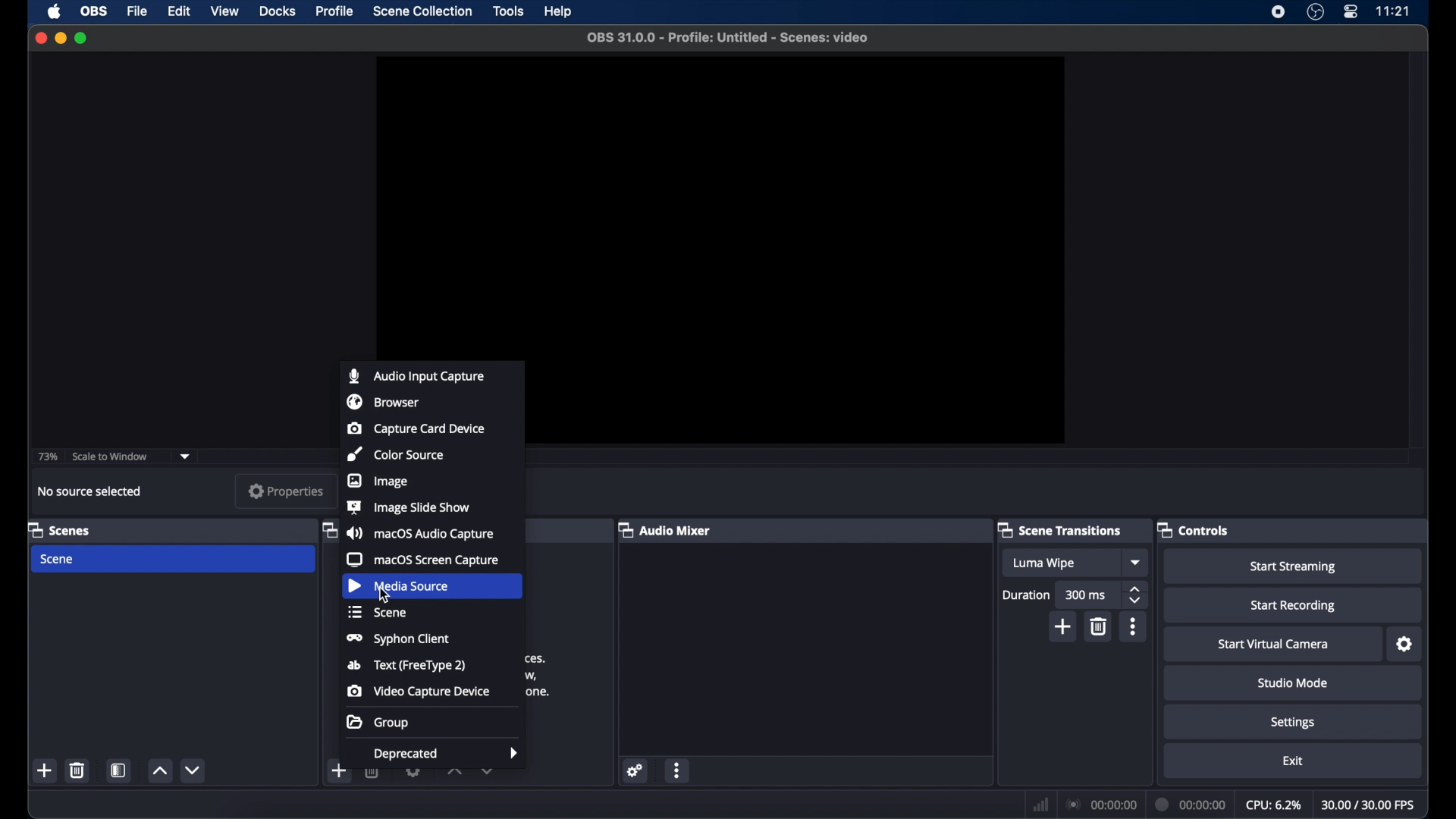 Image resolution: width=1456 pixels, height=819 pixels. What do you see at coordinates (419, 532) in the screenshot?
I see `macOS audio capture` at bounding box center [419, 532].